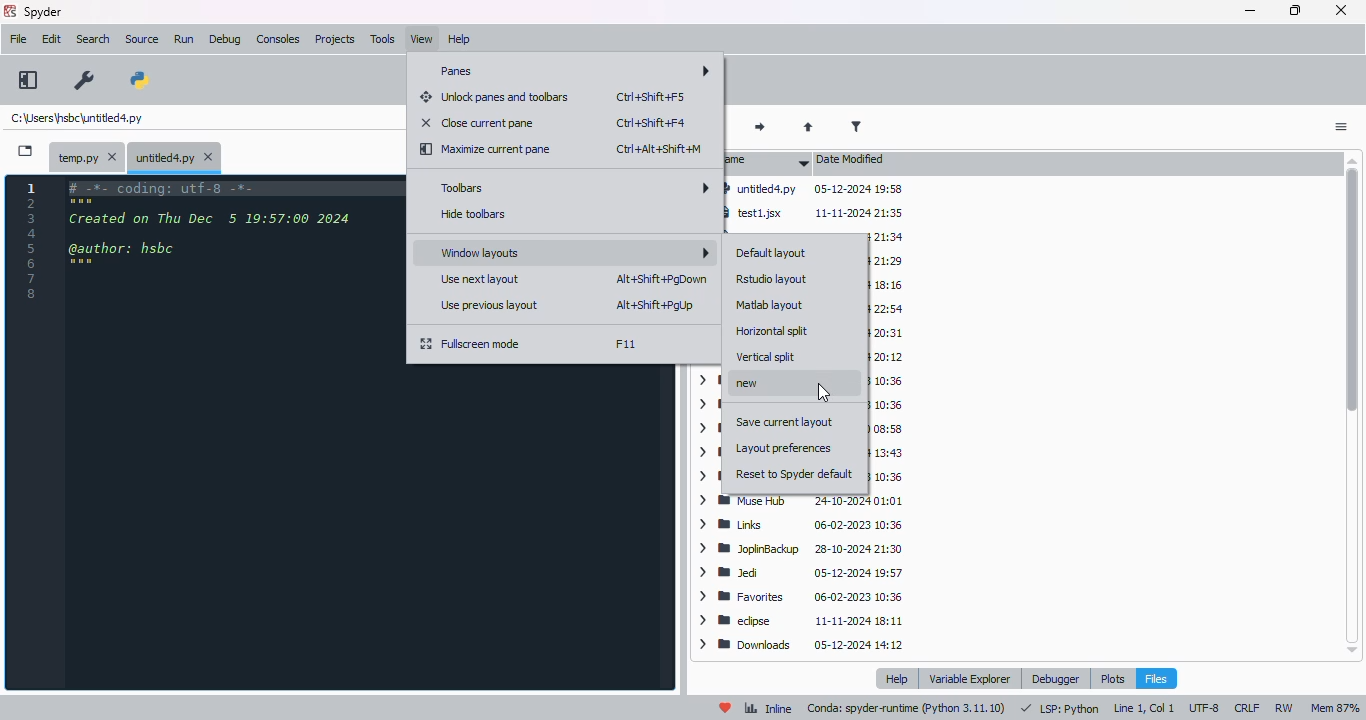  I want to click on horizontal split, so click(773, 331).